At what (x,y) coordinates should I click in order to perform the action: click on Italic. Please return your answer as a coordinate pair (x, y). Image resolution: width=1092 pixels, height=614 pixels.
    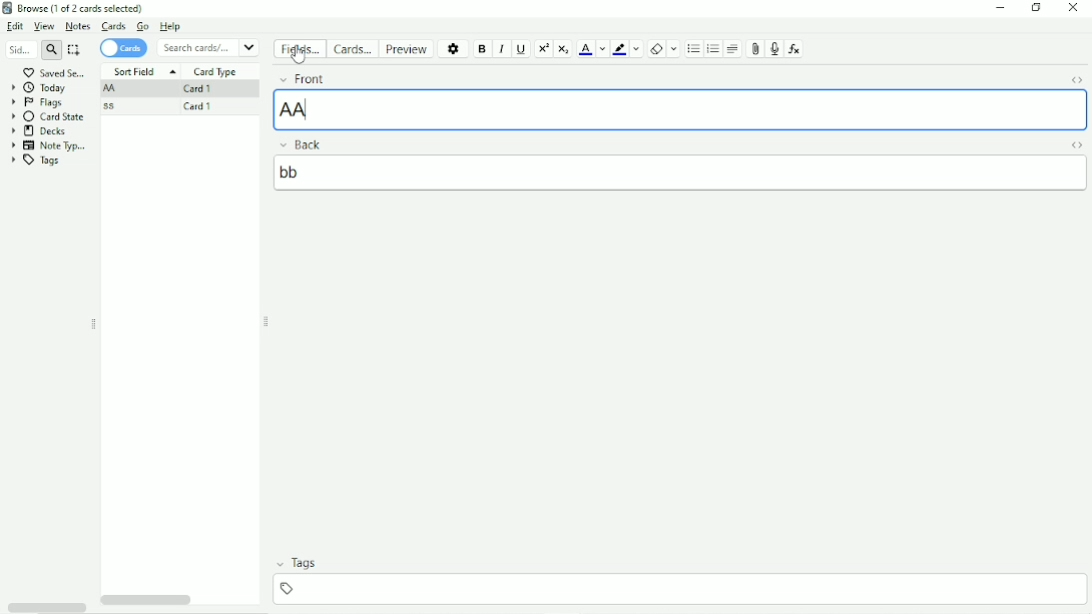
    Looking at the image, I should click on (502, 49).